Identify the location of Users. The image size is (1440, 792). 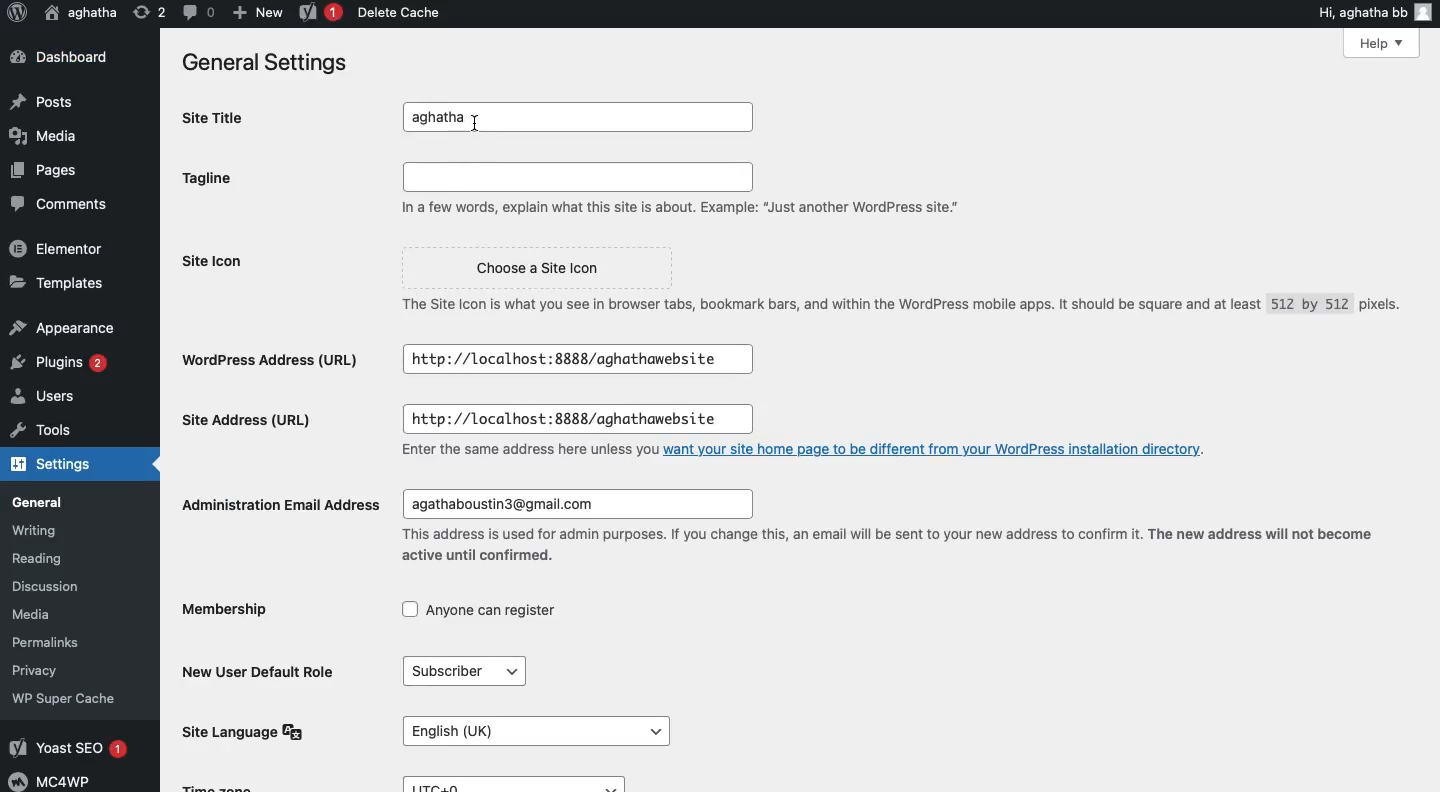
(45, 396).